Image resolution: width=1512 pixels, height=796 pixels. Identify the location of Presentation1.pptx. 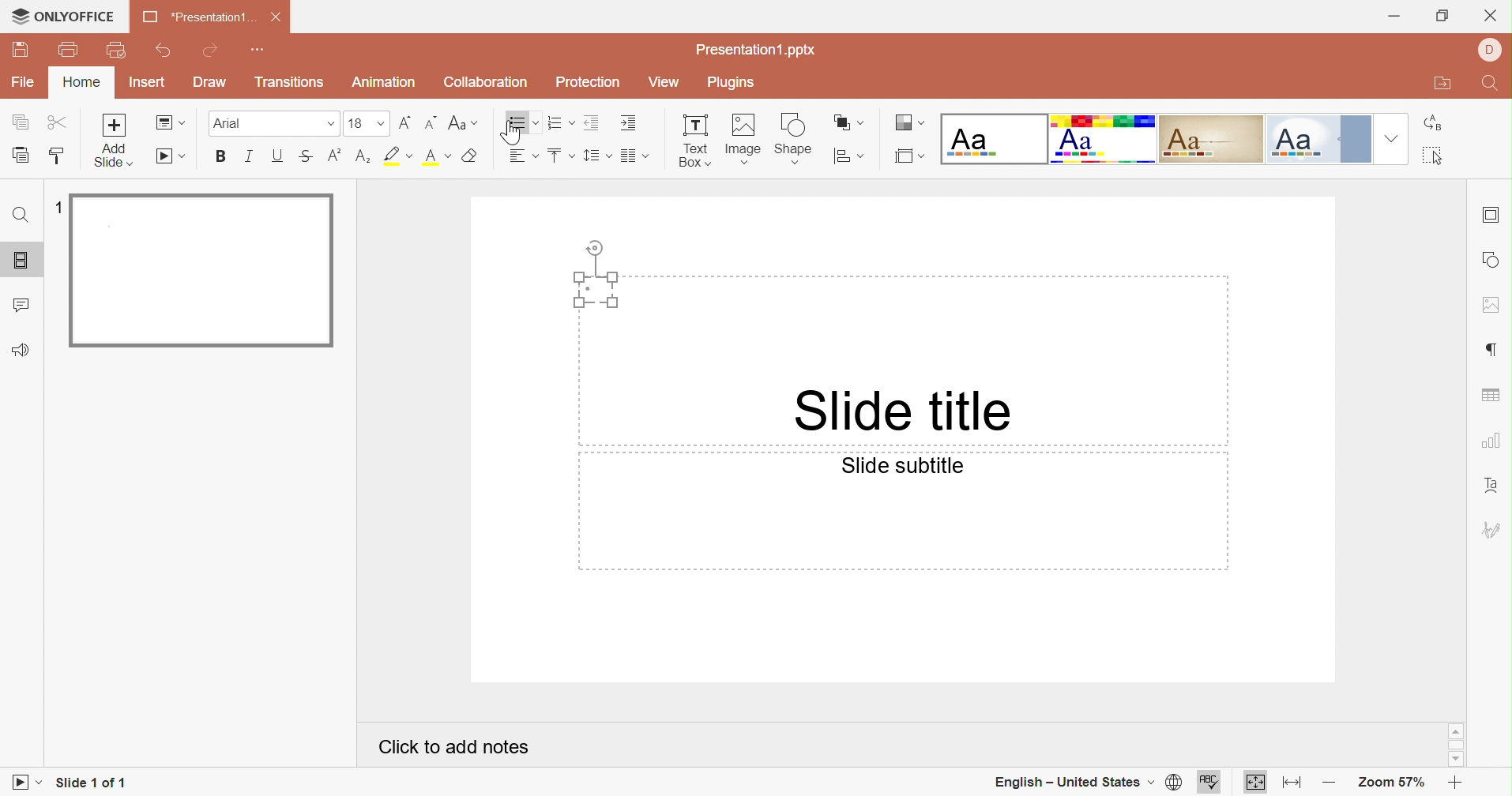
(762, 50).